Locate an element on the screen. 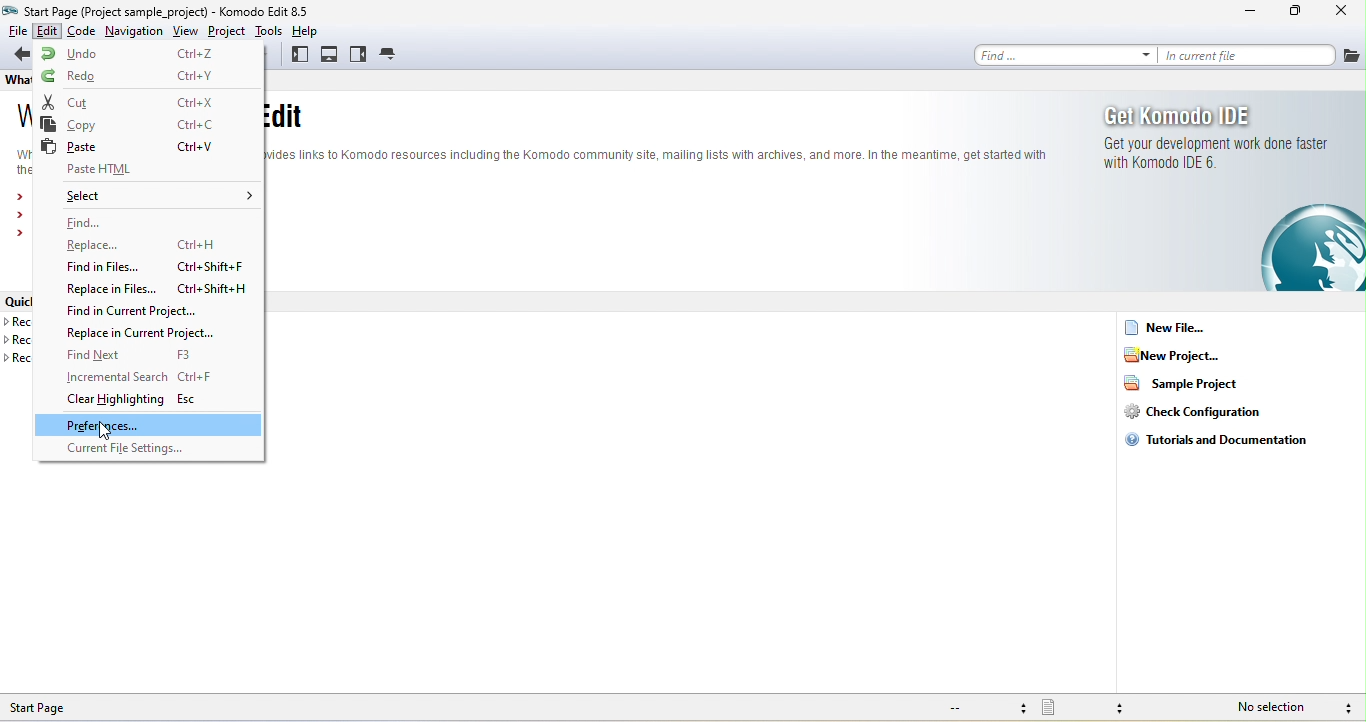  start page is located at coordinates (66, 707).